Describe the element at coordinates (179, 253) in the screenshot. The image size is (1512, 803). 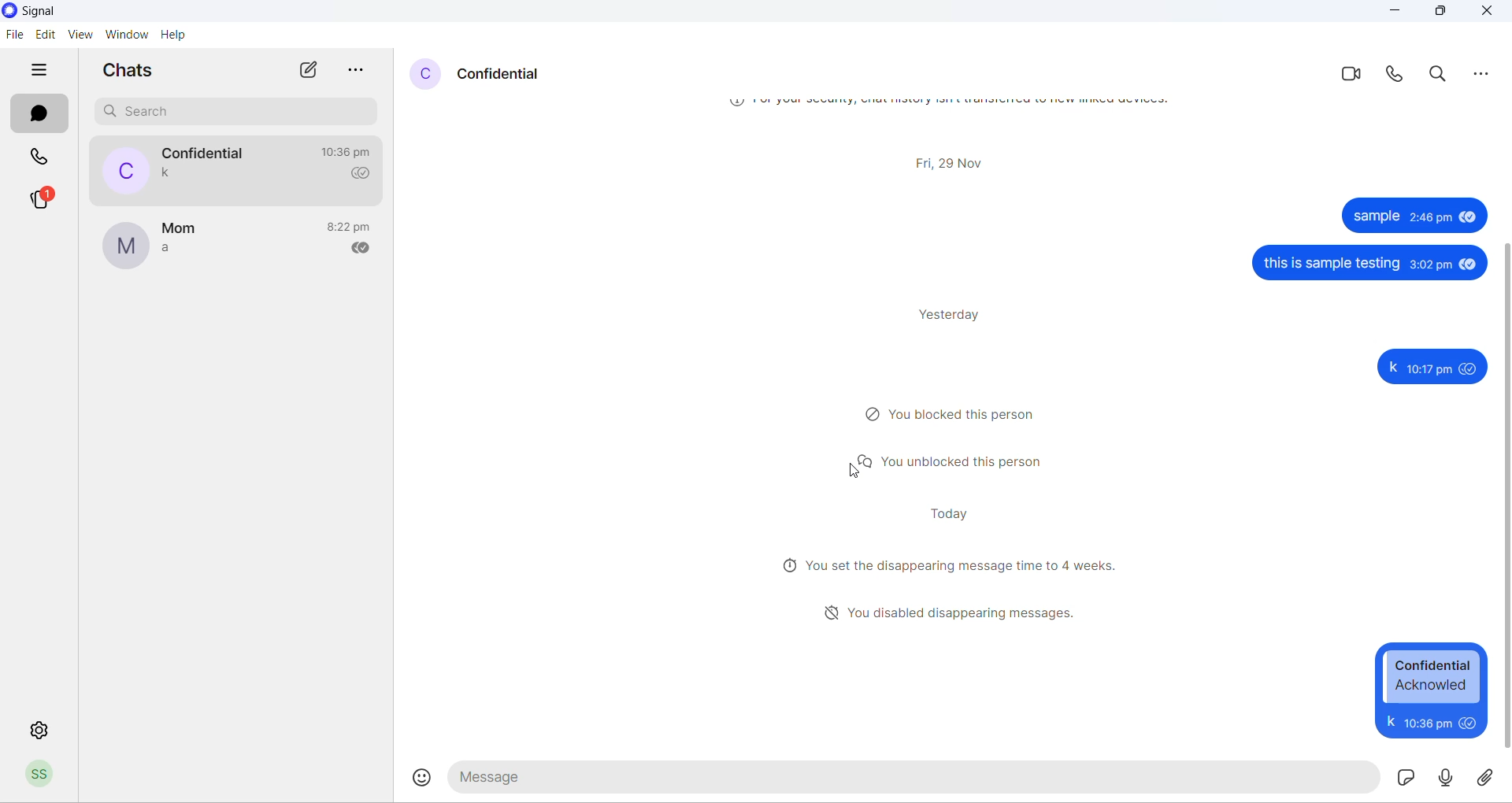
I see `last message` at that location.